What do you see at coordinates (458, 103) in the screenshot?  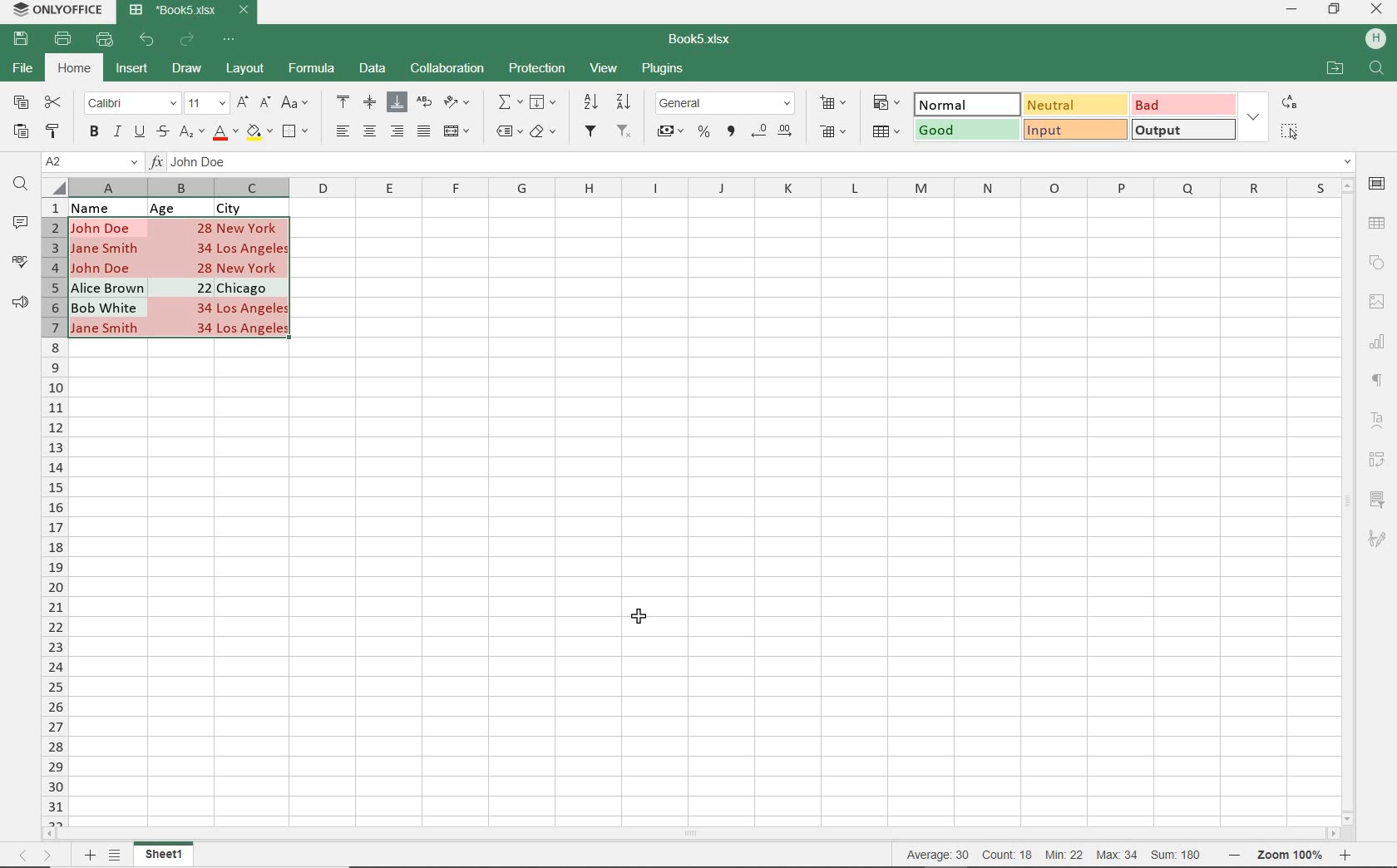 I see `ORIENTATION` at bounding box center [458, 103].